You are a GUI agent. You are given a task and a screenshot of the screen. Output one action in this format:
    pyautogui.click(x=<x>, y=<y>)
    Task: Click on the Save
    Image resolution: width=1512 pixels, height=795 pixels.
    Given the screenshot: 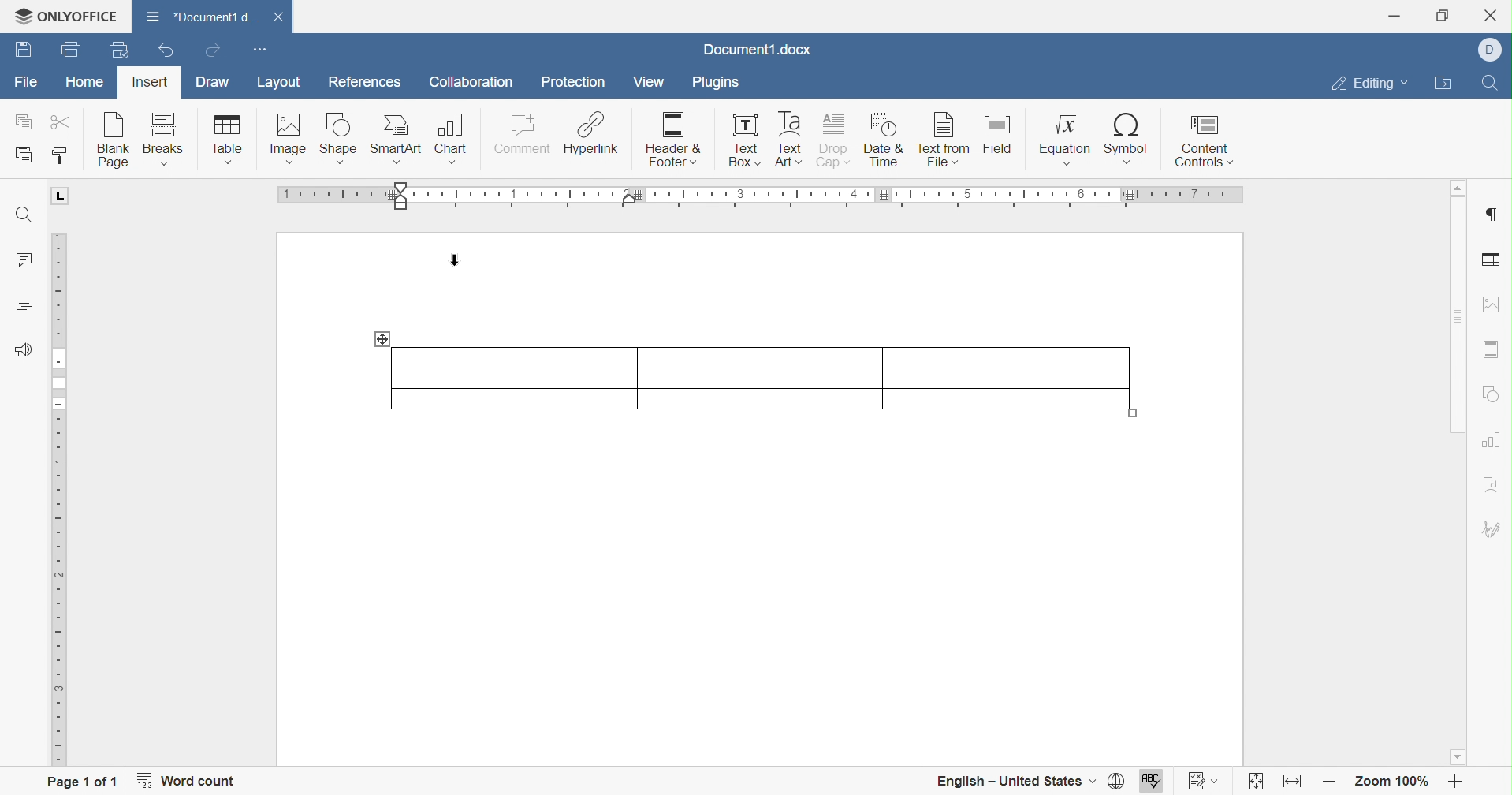 What is the action you would take?
    pyautogui.click(x=23, y=48)
    